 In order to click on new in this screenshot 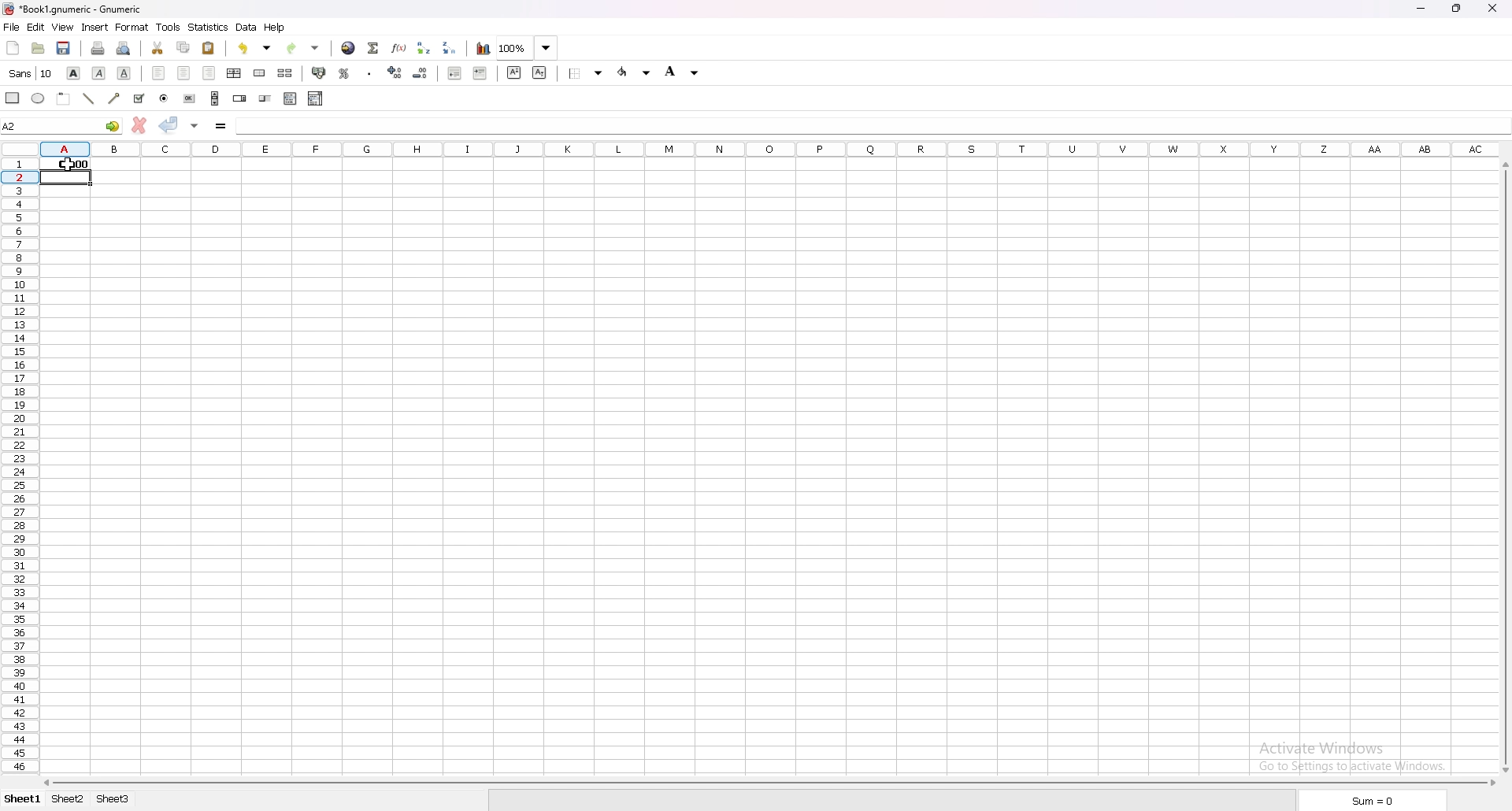, I will do `click(13, 48)`.